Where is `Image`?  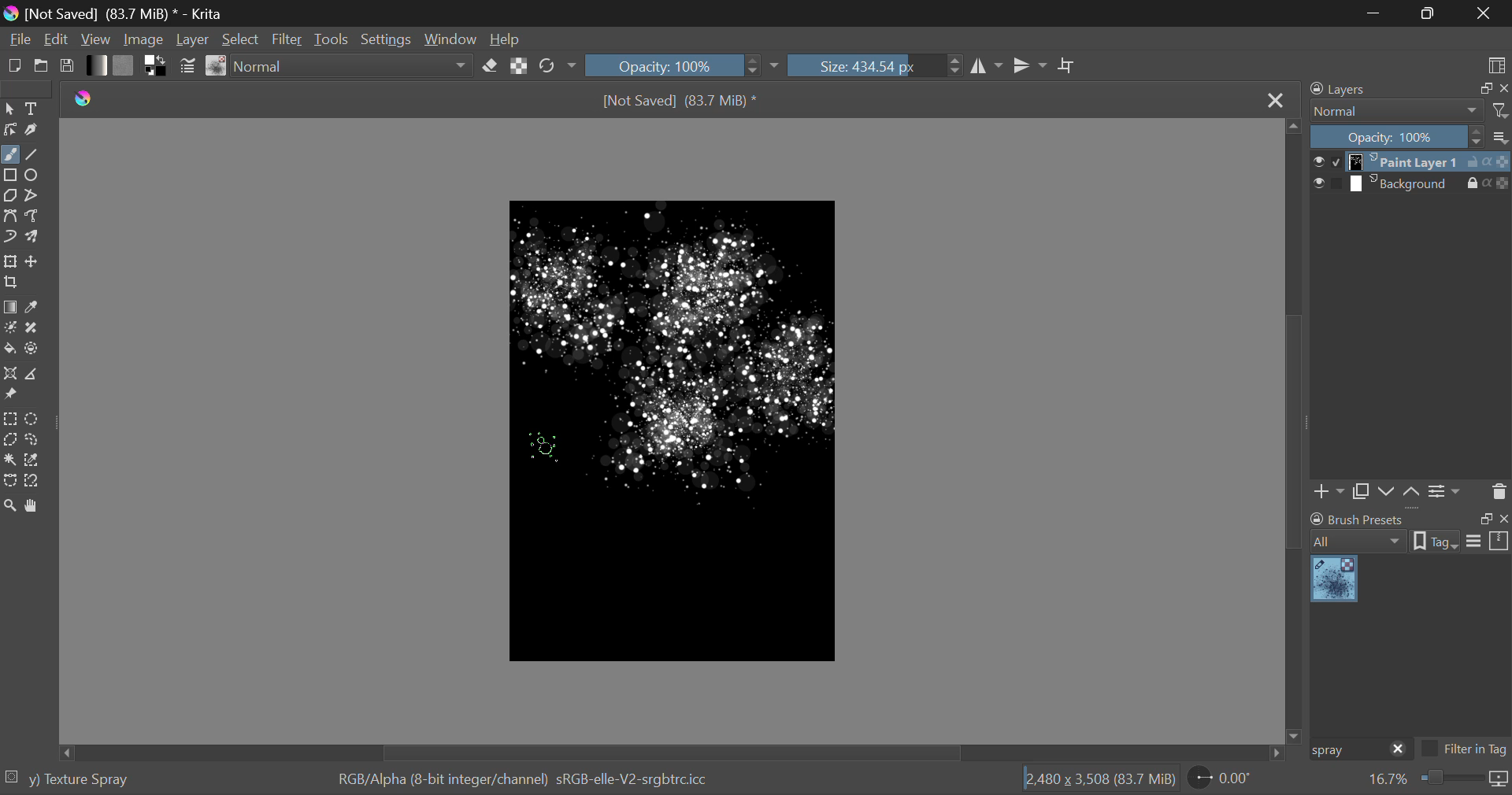
Image is located at coordinates (148, 38).